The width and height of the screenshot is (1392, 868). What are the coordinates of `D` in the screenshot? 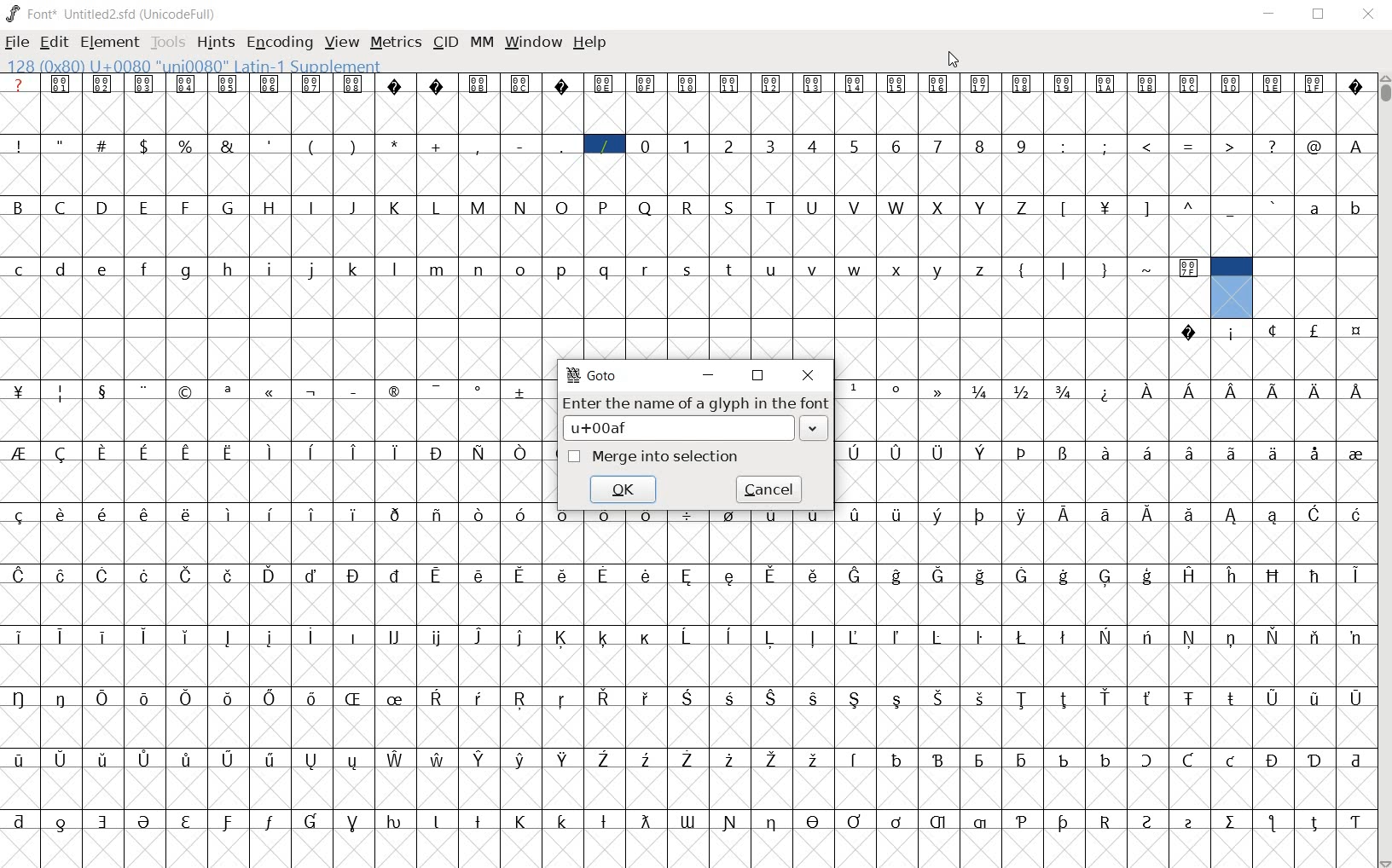 It's located at (104, 208).